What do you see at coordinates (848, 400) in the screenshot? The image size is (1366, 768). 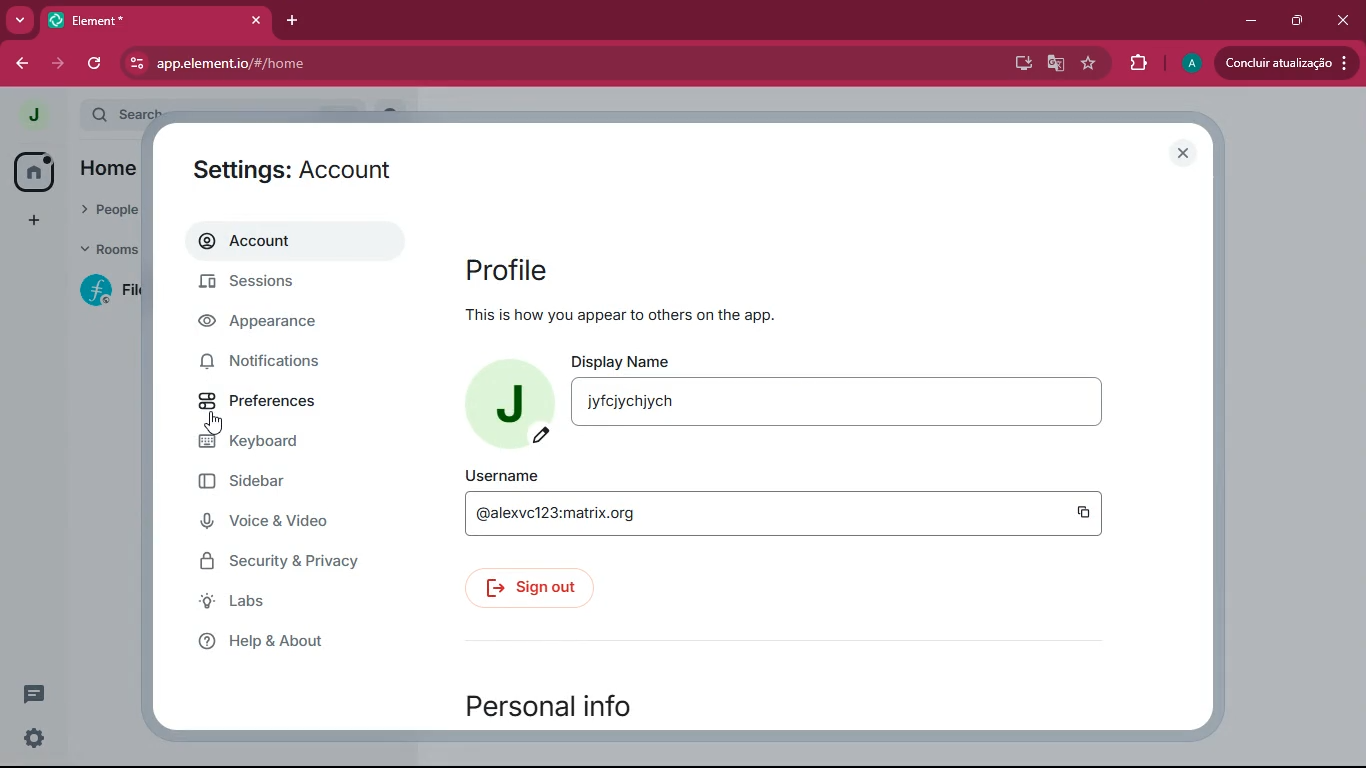 I see `display name jyfcjychjych` at bounding box center [848, 400].